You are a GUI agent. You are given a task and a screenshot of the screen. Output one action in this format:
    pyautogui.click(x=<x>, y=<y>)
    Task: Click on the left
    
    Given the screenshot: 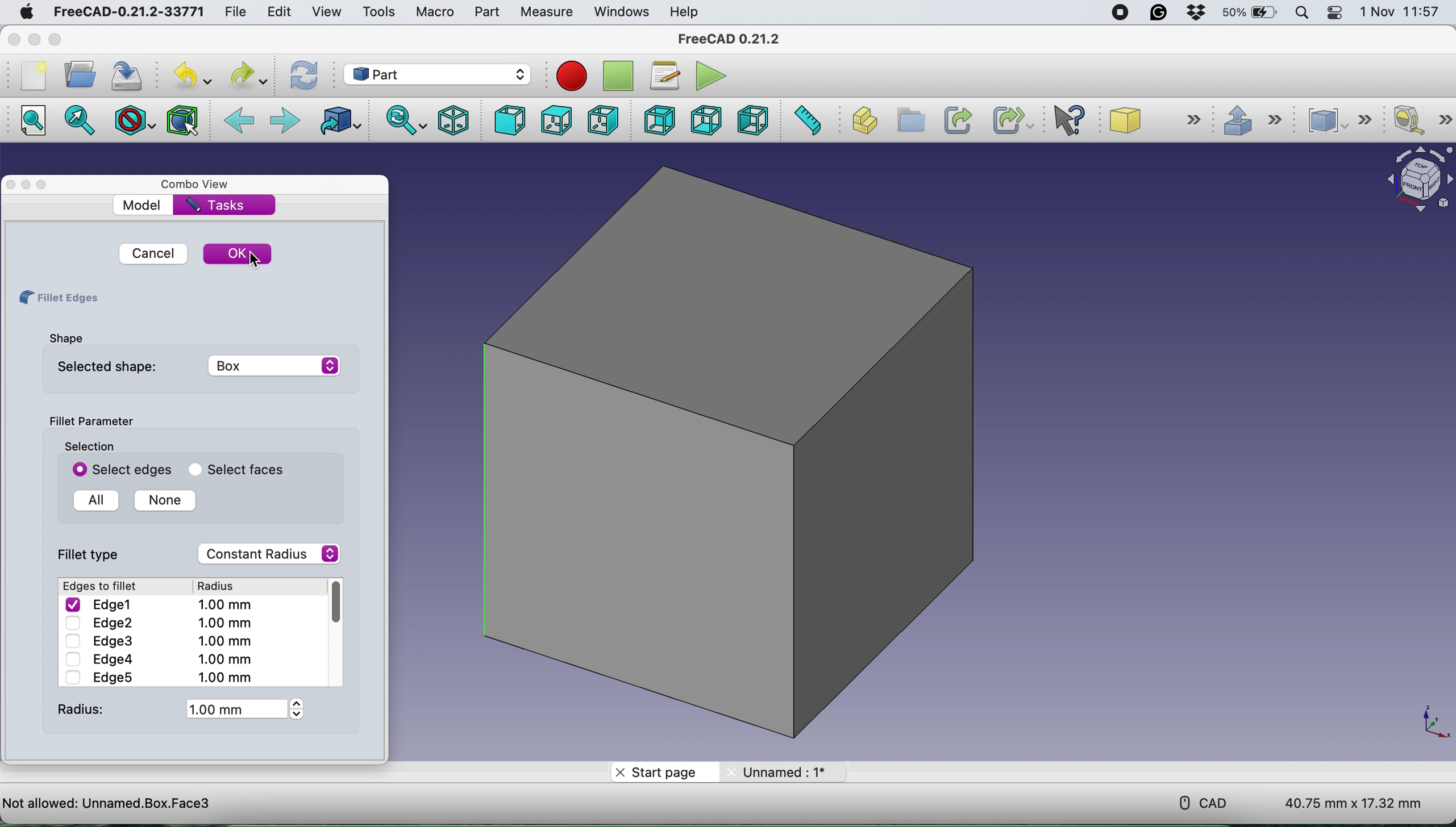 What is the action you would take?
    pyautogui.click(x=752, y=119)
    